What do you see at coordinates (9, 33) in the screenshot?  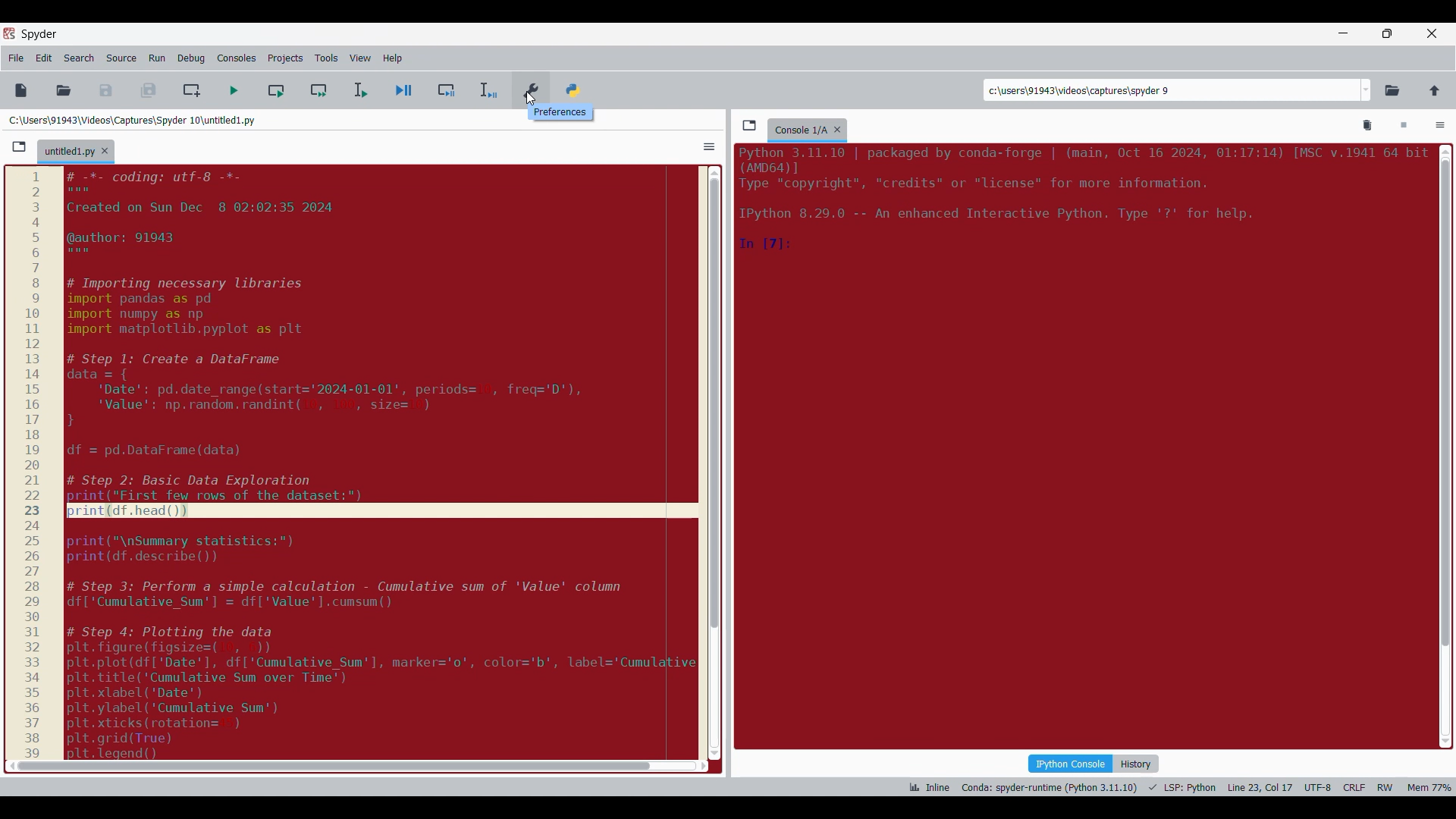 I see `Software logo` at bounding box center [9, 33].